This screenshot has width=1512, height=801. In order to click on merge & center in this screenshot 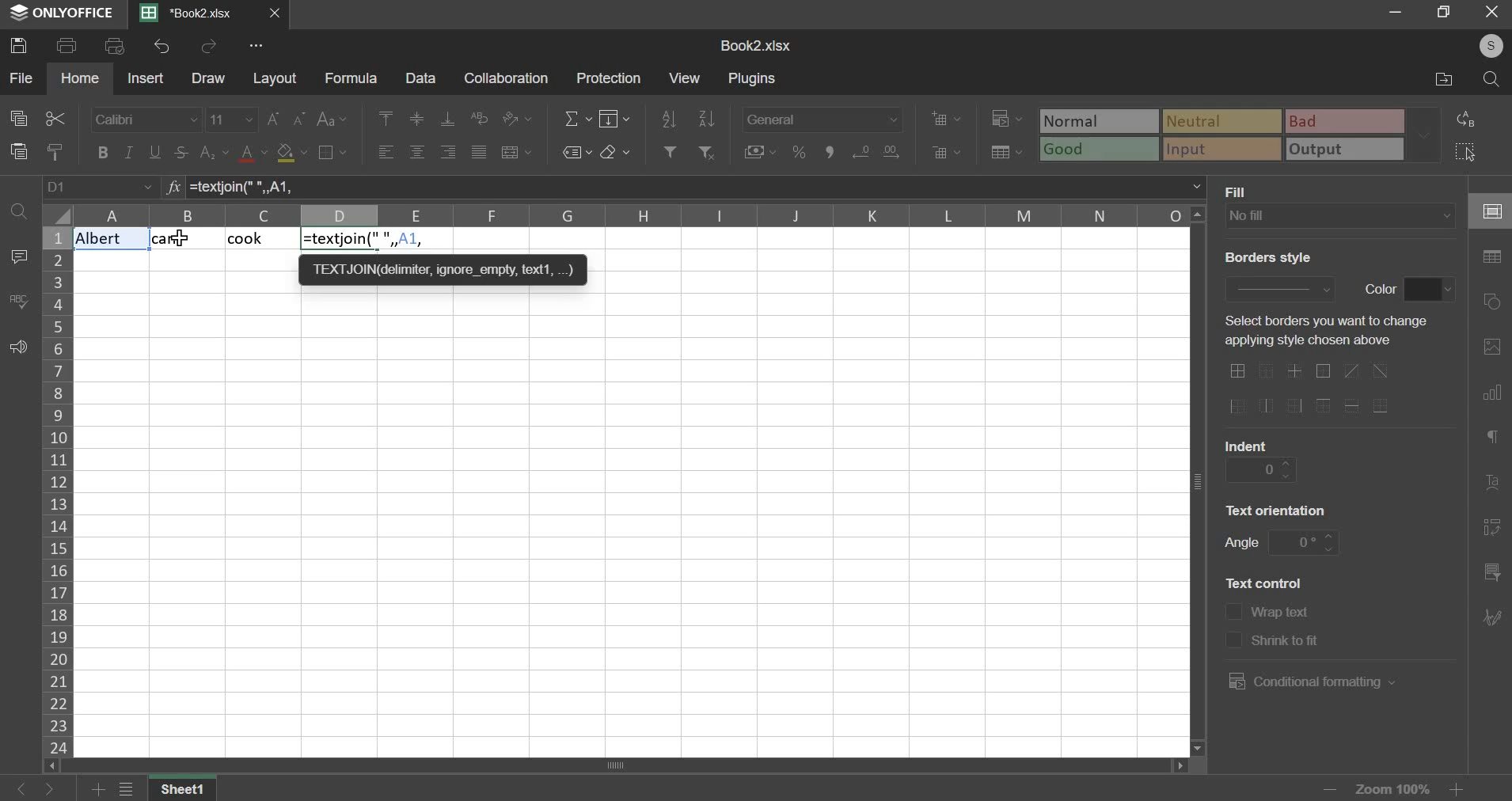, I will do `click(517, 152)`.